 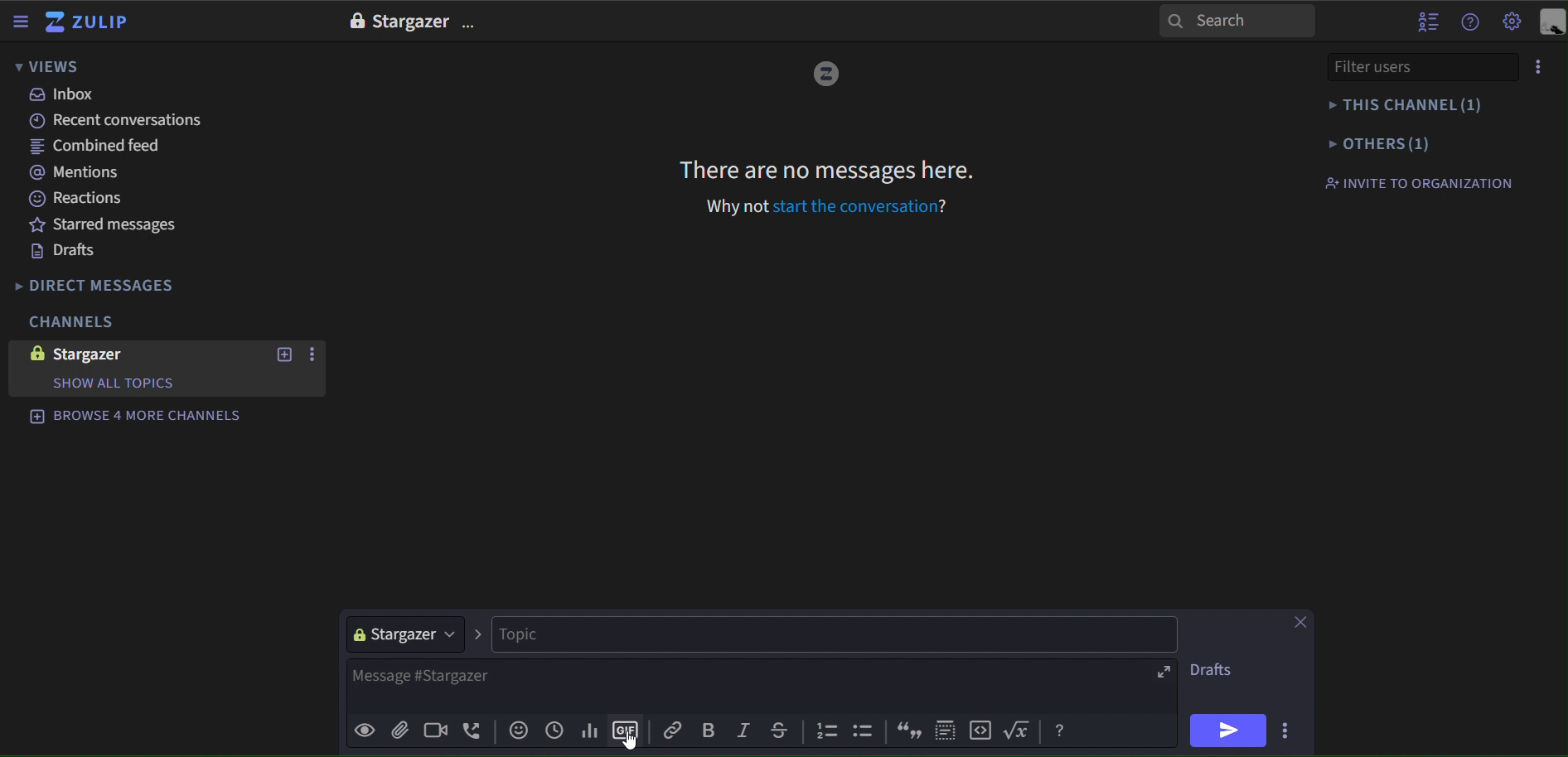 I want to click on reactions, so click(x=88, y=199).